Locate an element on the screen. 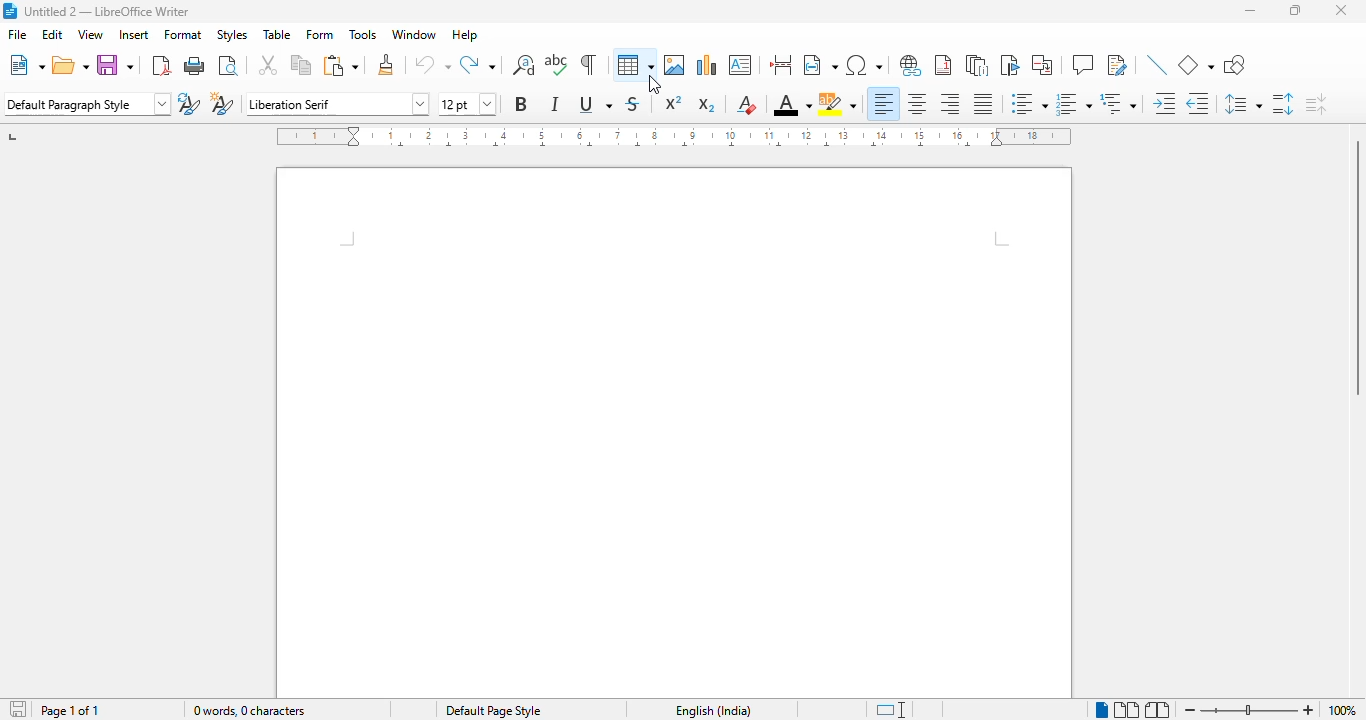 This screenshot has height=720, width=1366. zoom out is located at coordinates (1191, 710).